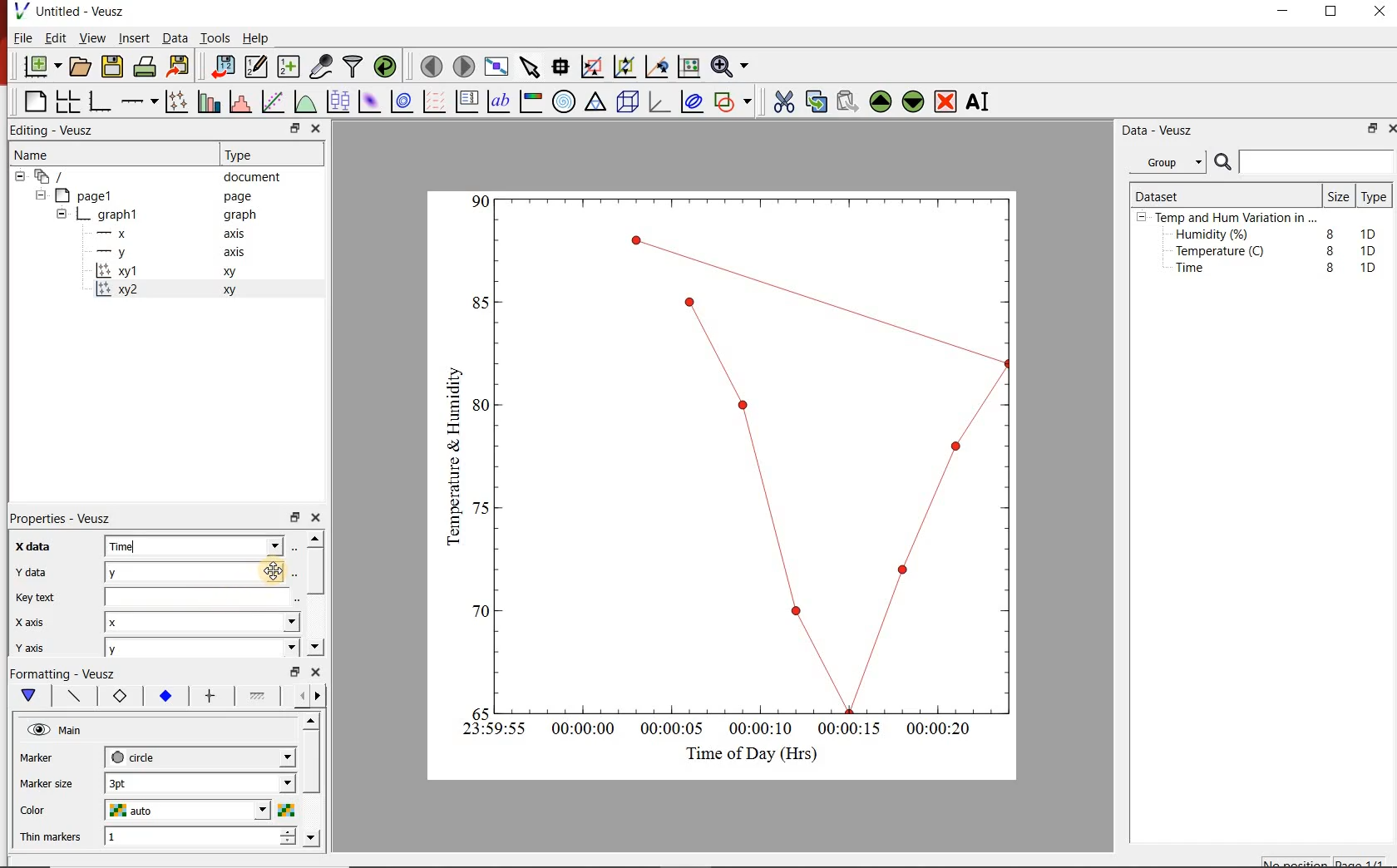 Image resolution: width=1397 pixels, height=868 pixels. What do you see at coordinates (30, 697) in the screenshot?
I see `main formatting` at bounding box center [30, 697].